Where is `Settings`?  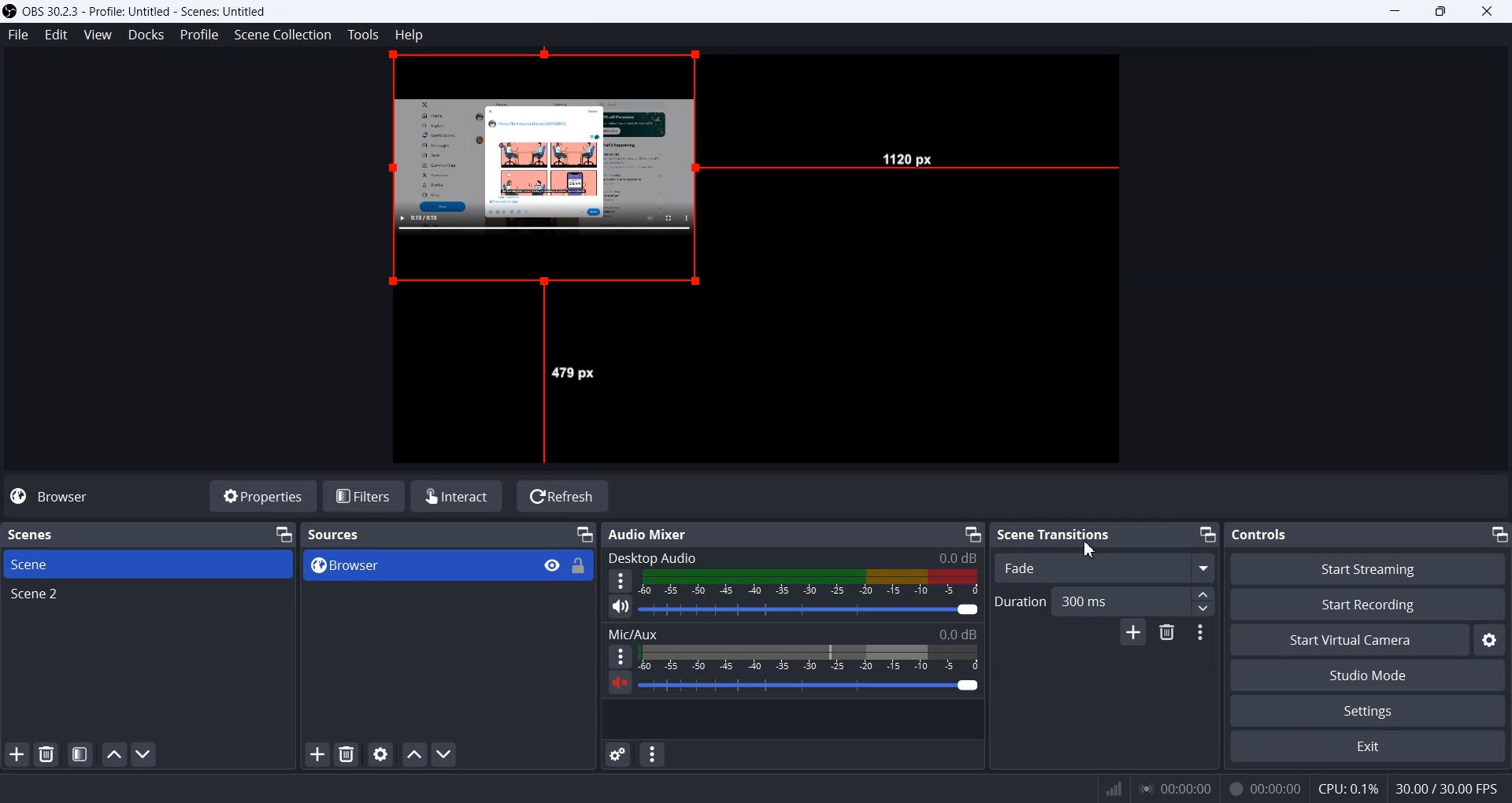 Settings is located at coordinates (1369, 710).